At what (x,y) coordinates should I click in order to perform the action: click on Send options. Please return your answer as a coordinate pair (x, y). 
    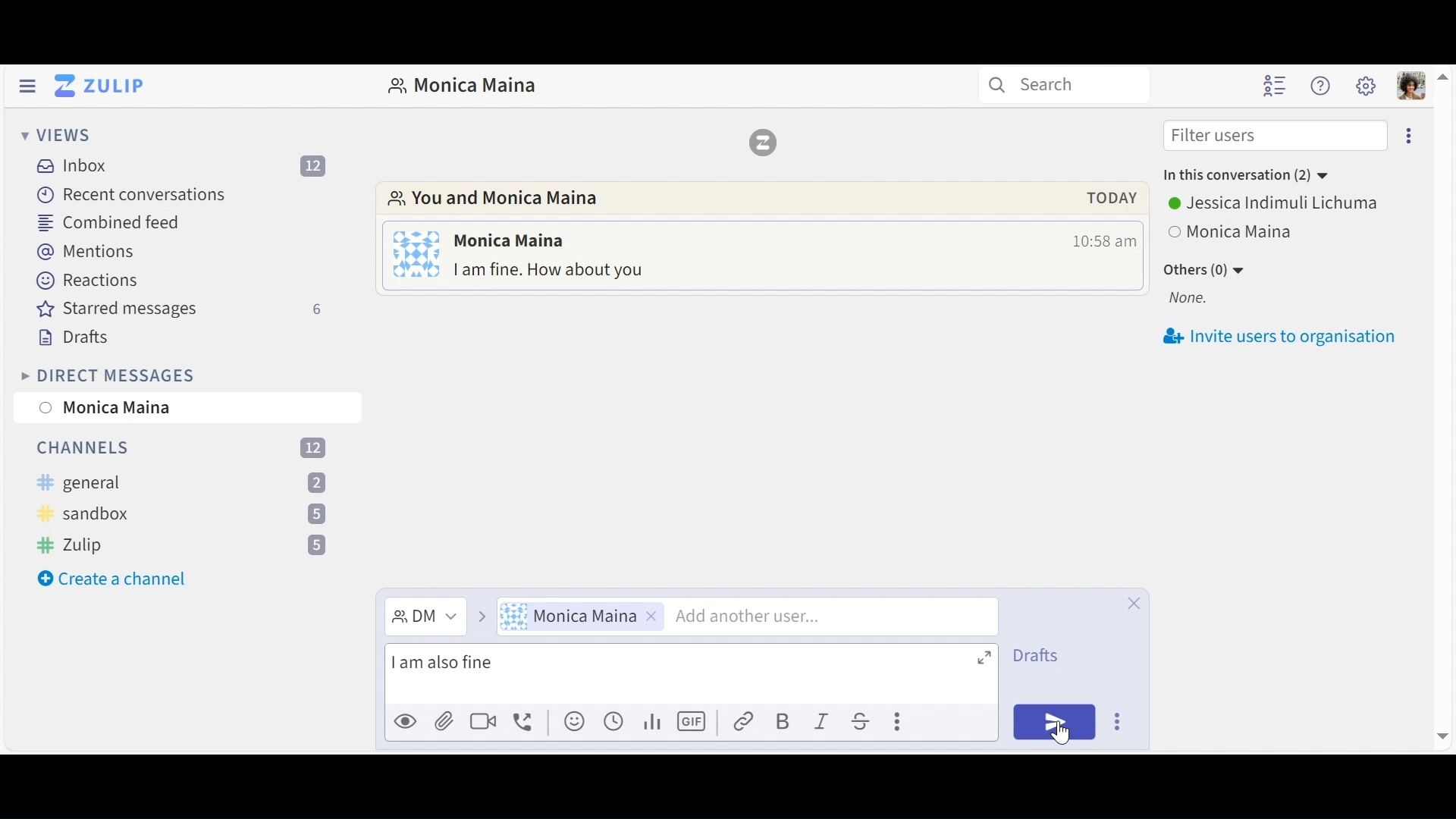
    Looking at the image, I should click on (1121, 723).